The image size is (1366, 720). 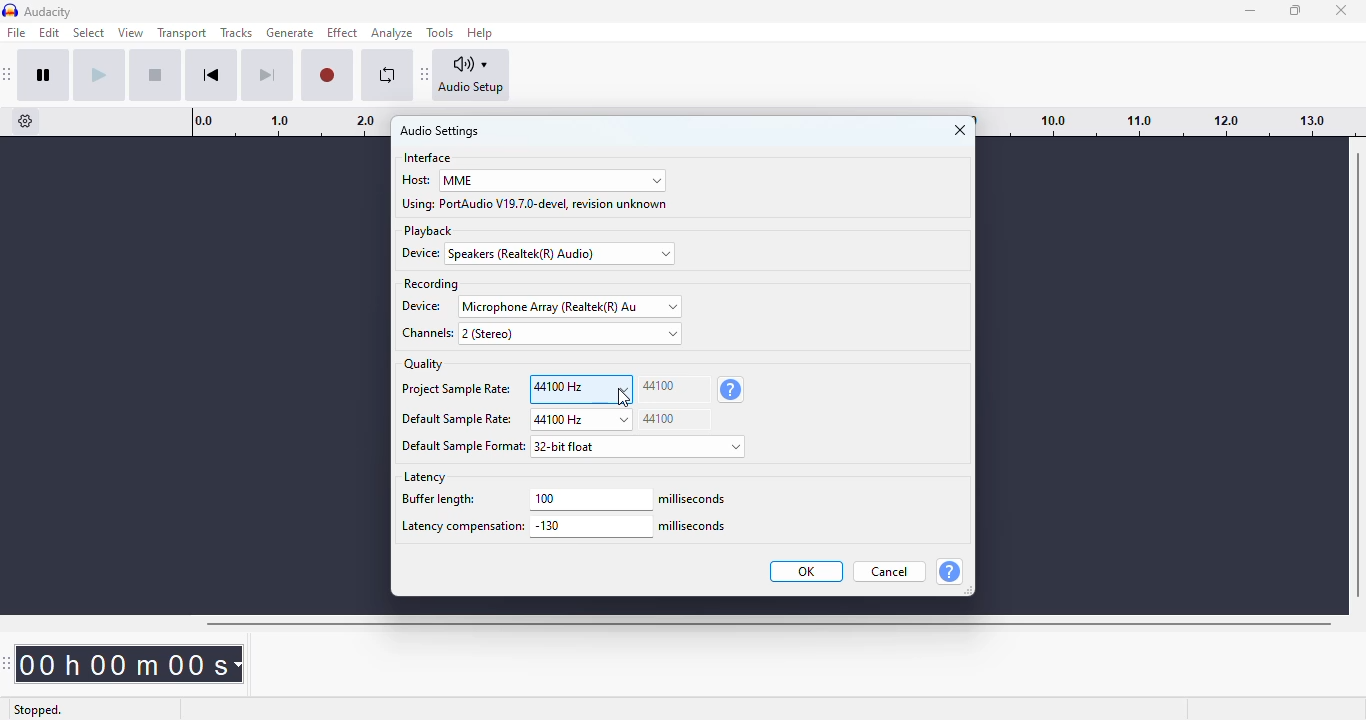 What do you see at coordinates (536, 204) in the screenshot?
I see `Using: PortAudio V19.7.0-devel, revision unknown` at bounding box center [536, 204].